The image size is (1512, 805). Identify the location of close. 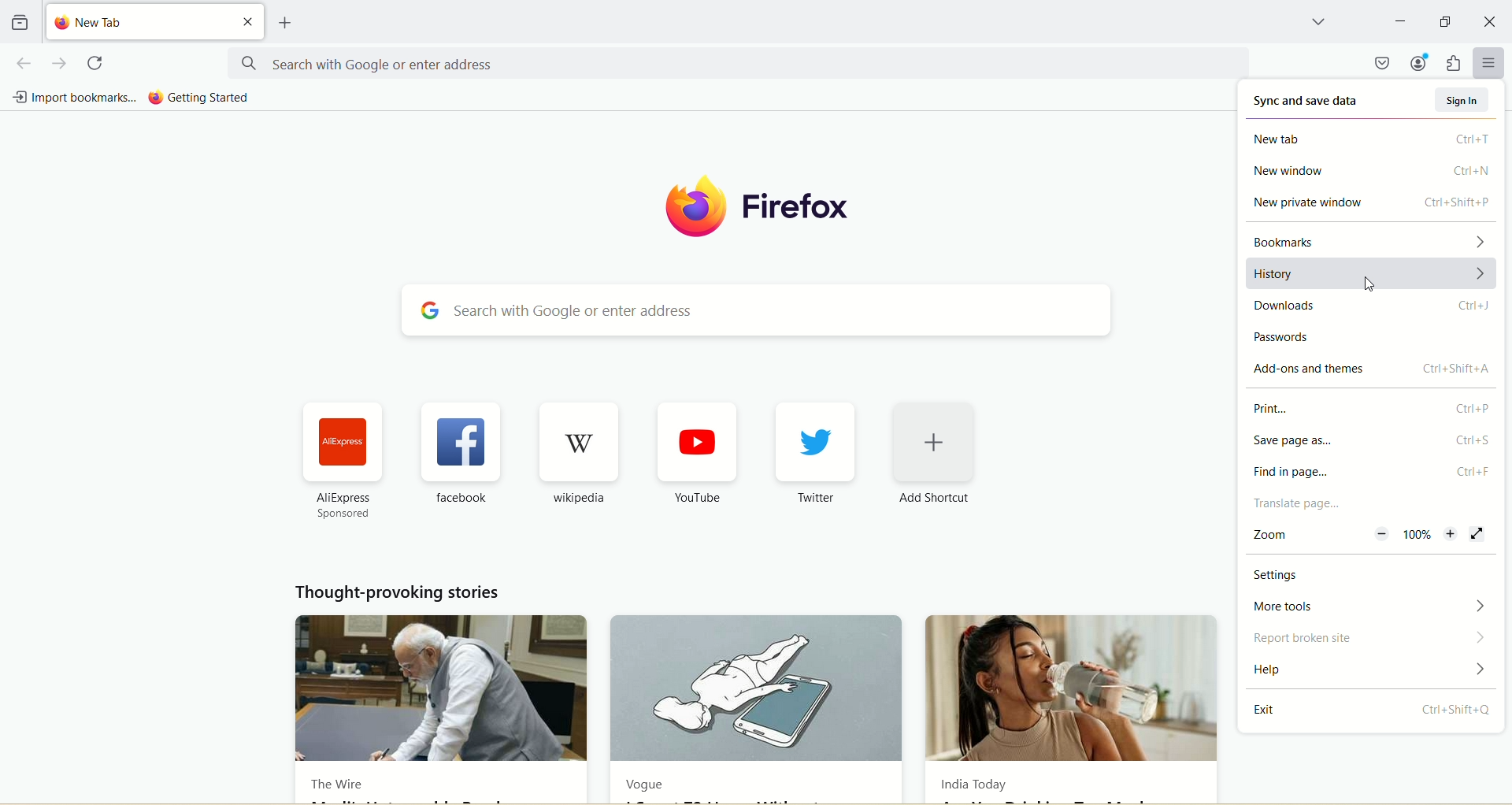
(248, 20).